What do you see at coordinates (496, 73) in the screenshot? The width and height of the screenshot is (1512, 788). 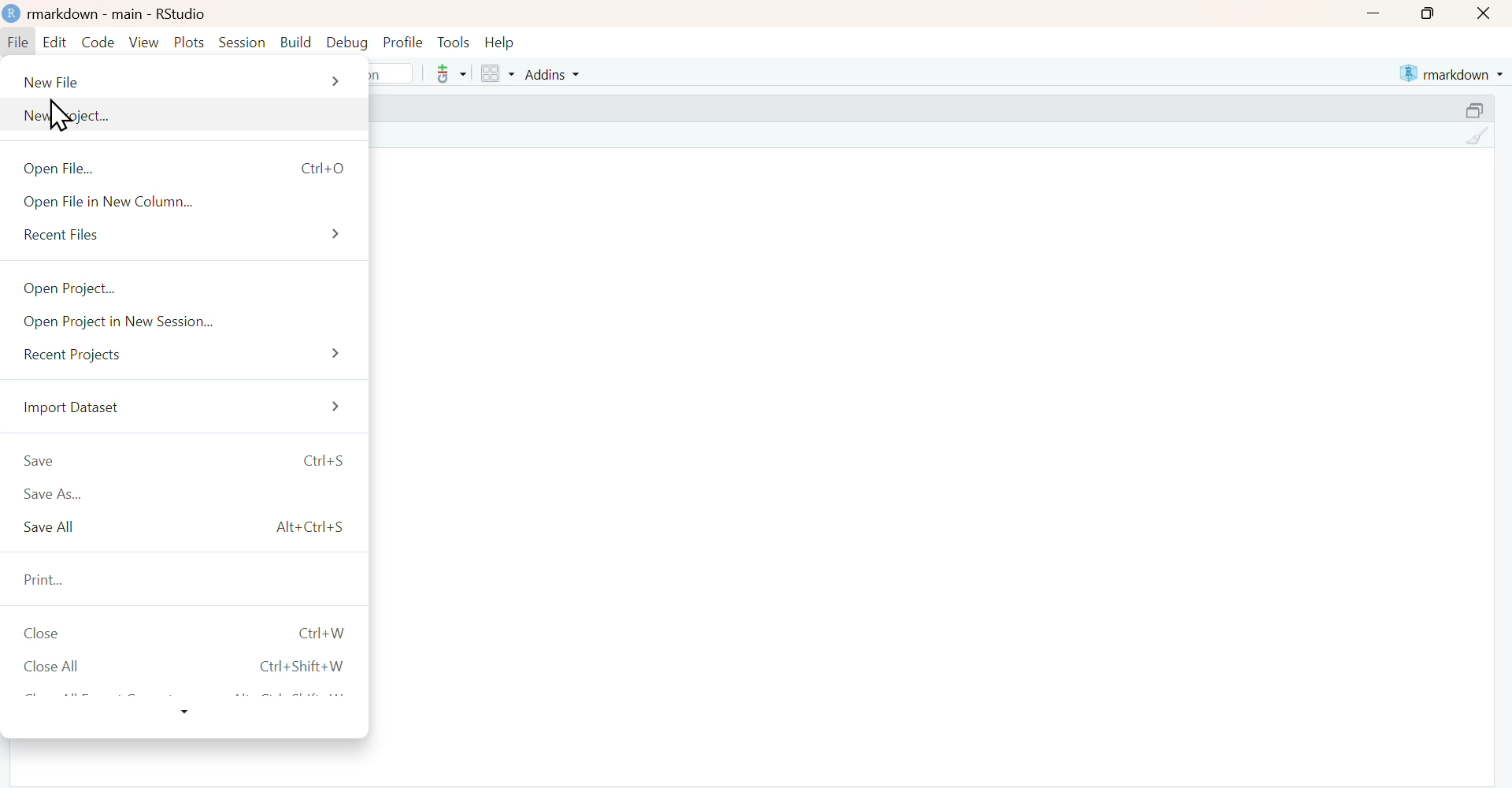 I see `workspace panes` at bounding box center [496, 73].